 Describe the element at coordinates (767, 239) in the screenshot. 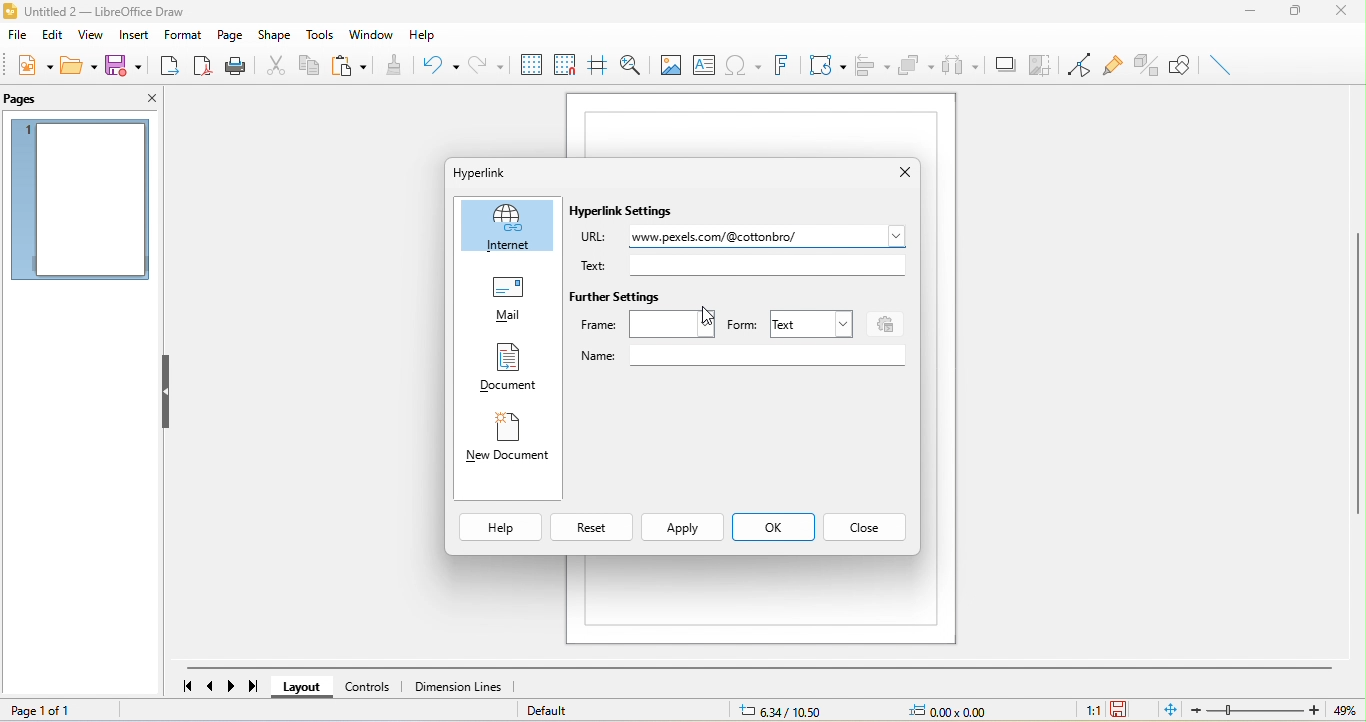

I see `external link` at that location.